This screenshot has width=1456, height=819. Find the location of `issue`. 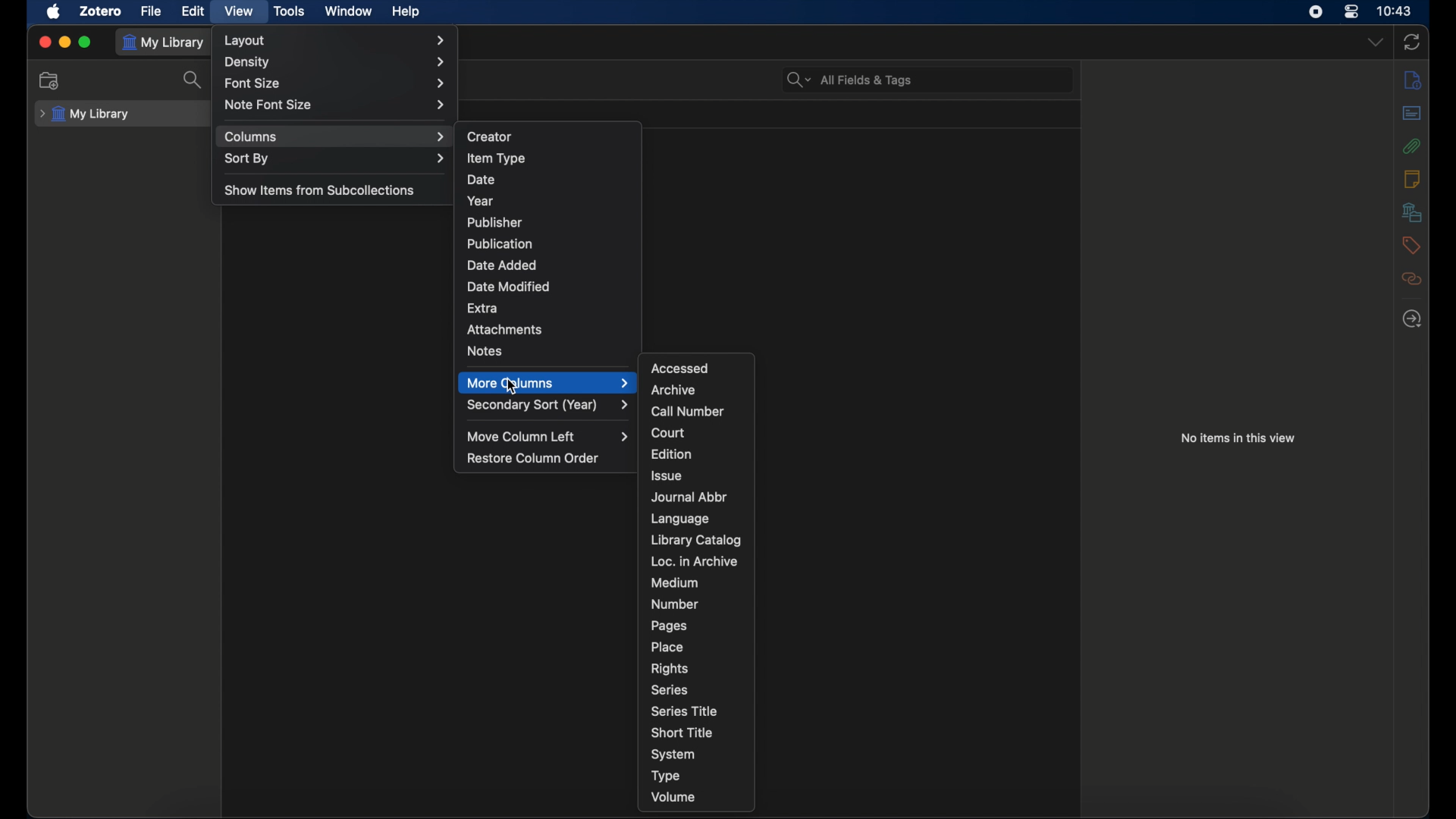

issue is located at coordinates (666, 475).